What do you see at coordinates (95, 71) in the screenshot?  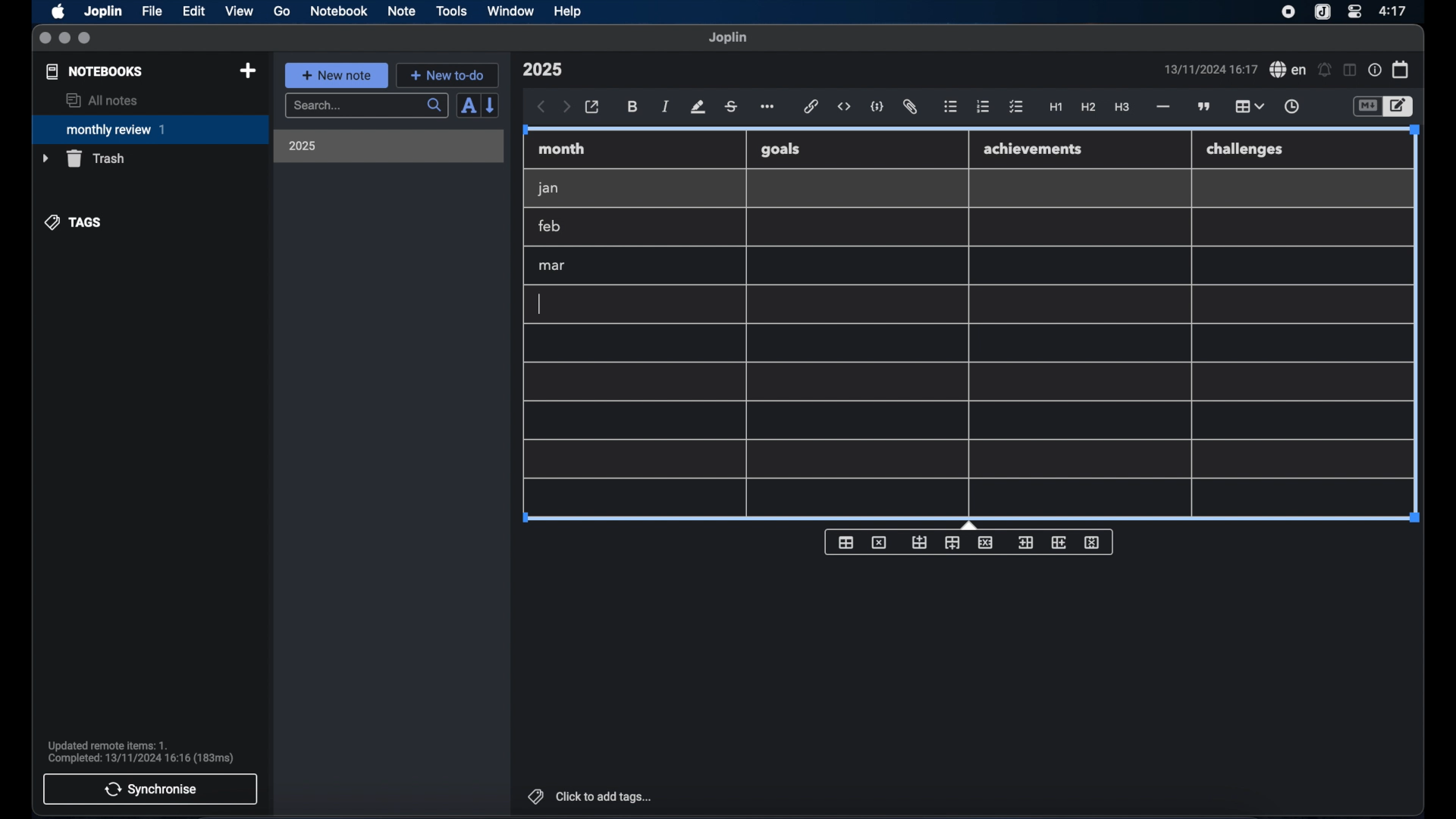 I see `notebooks` at bounding box center [95, 71].